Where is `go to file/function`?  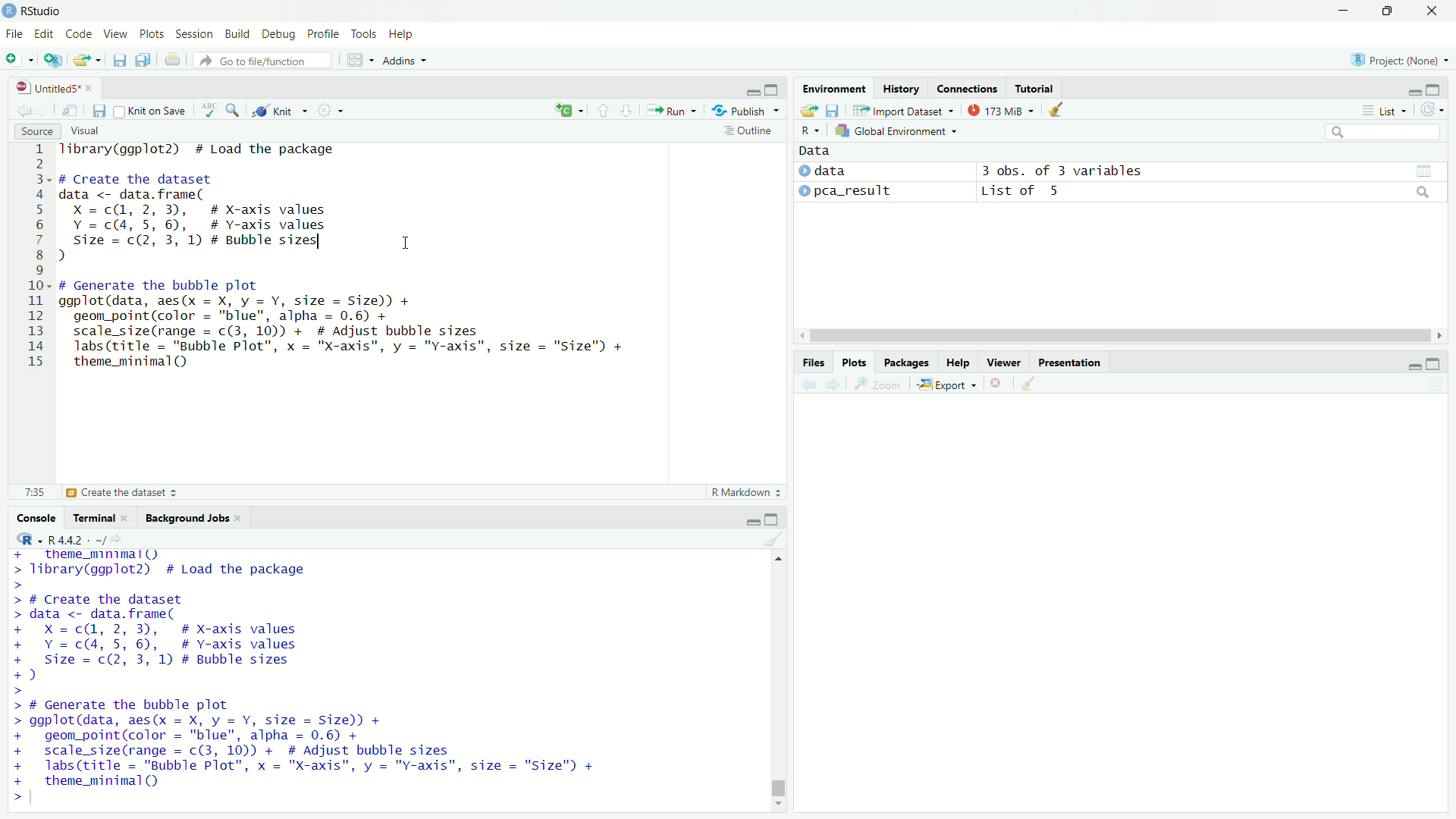 go to file/function is located at coordinates (264, 60).